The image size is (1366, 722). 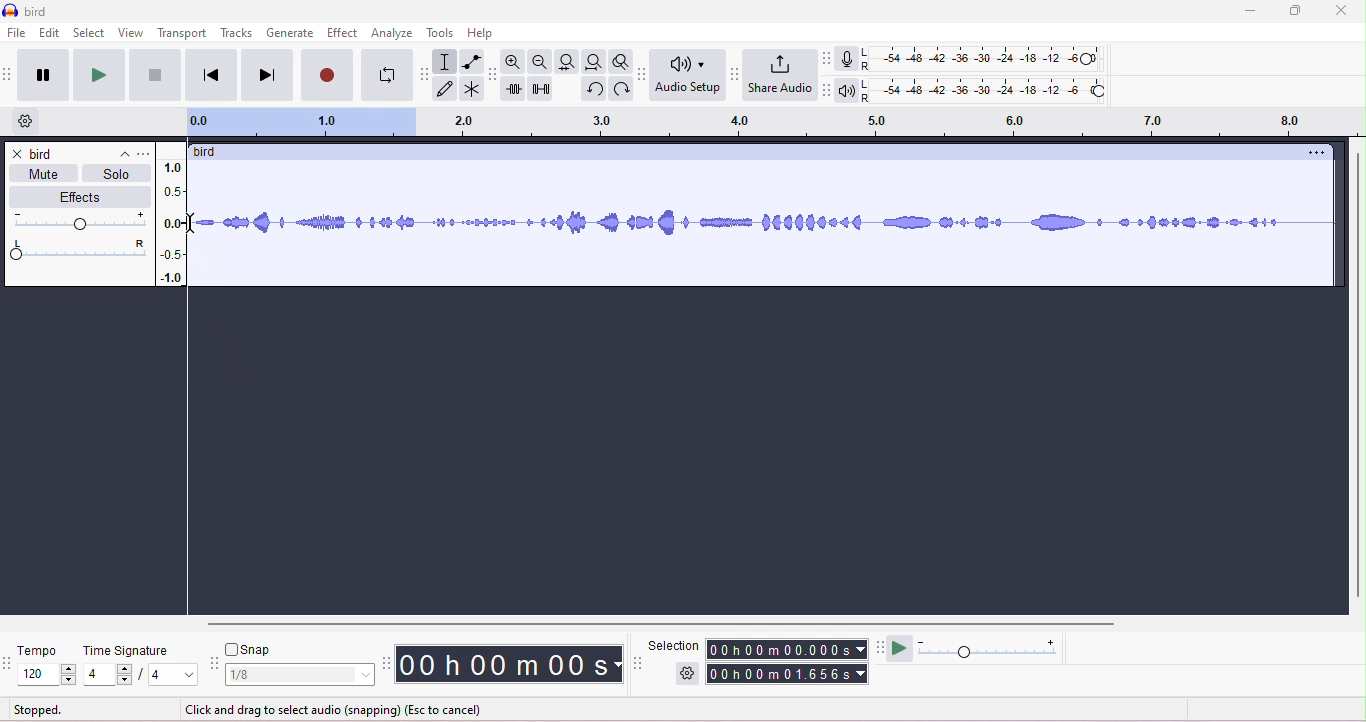 What do you see at coordinates (624, 90) in the screenshot?
I see `redo` at bounding box center [624, 90].